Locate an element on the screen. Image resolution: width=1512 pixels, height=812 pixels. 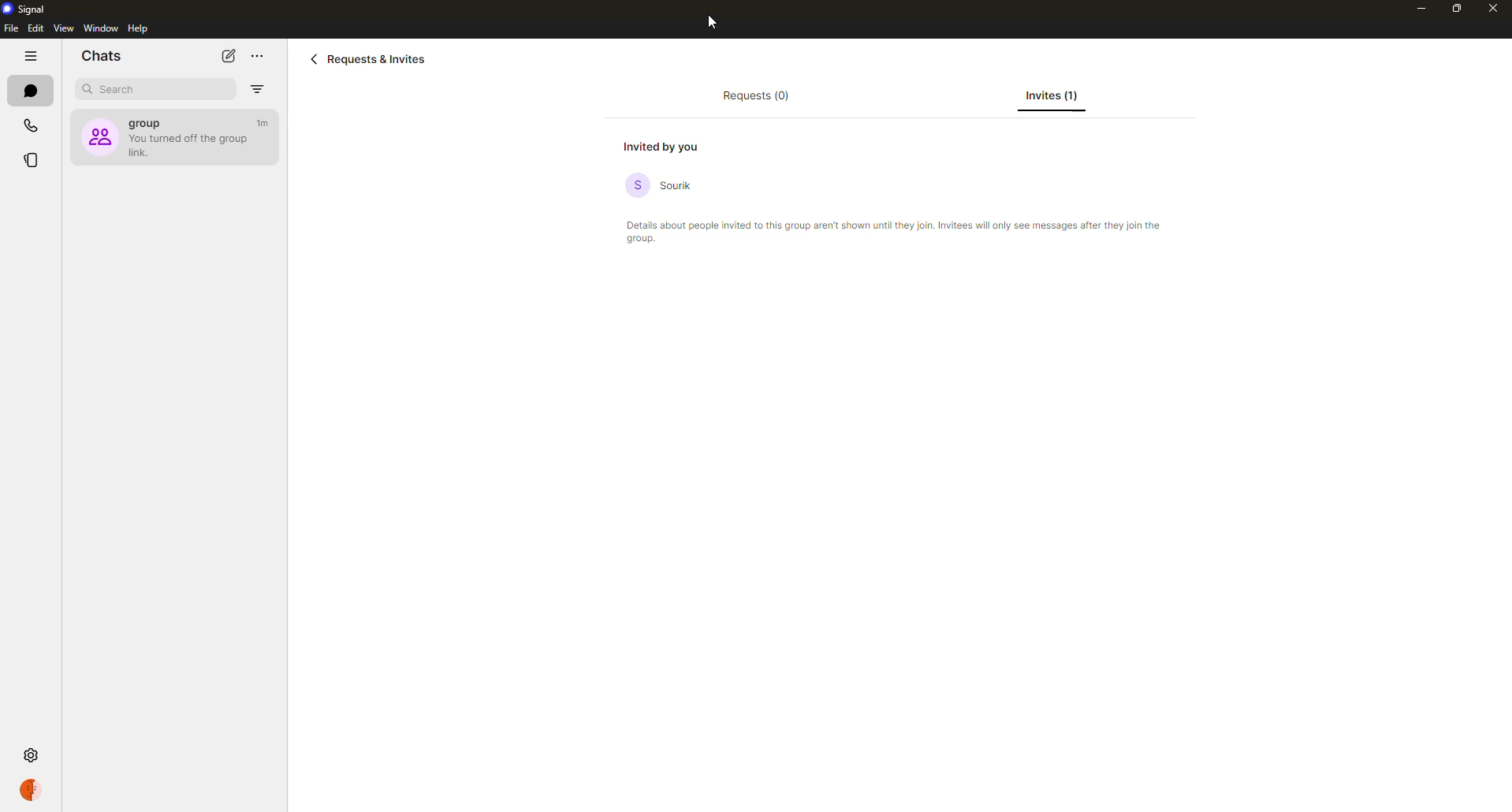
requests & invites is located at coordinates (372, 58).